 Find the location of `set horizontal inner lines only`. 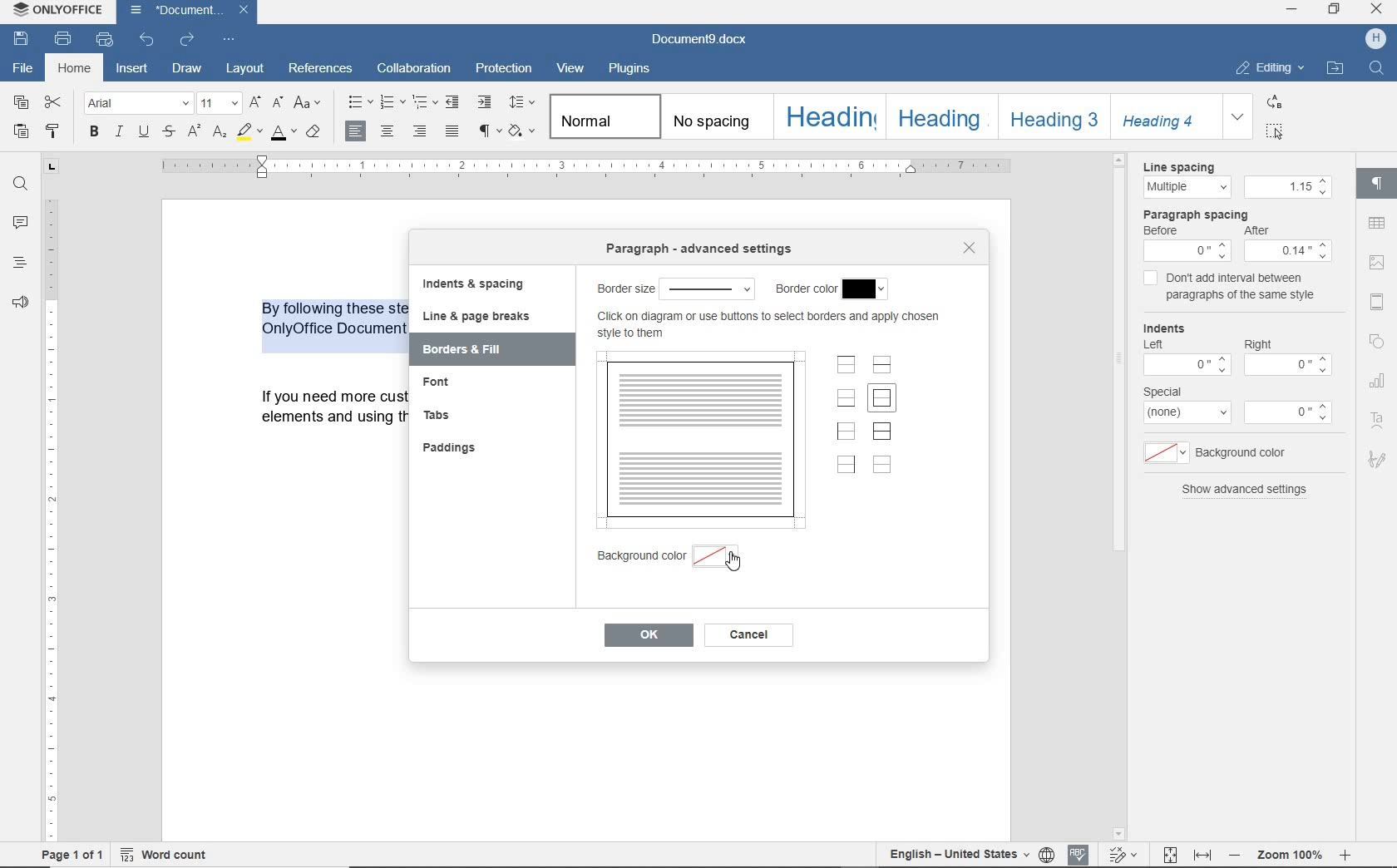

set horizontal inner lines only is located at coordinates (882, 364).